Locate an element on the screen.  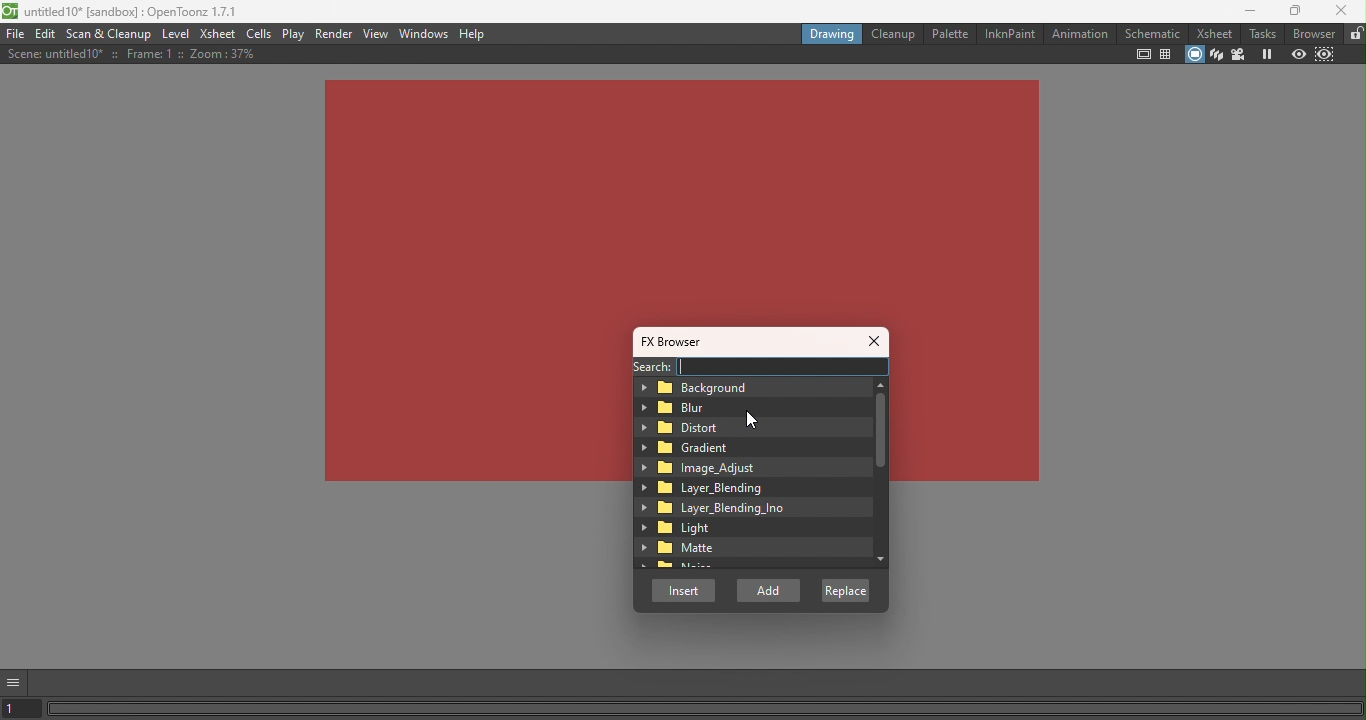
Schematic is located at coordinates (1153, 33).